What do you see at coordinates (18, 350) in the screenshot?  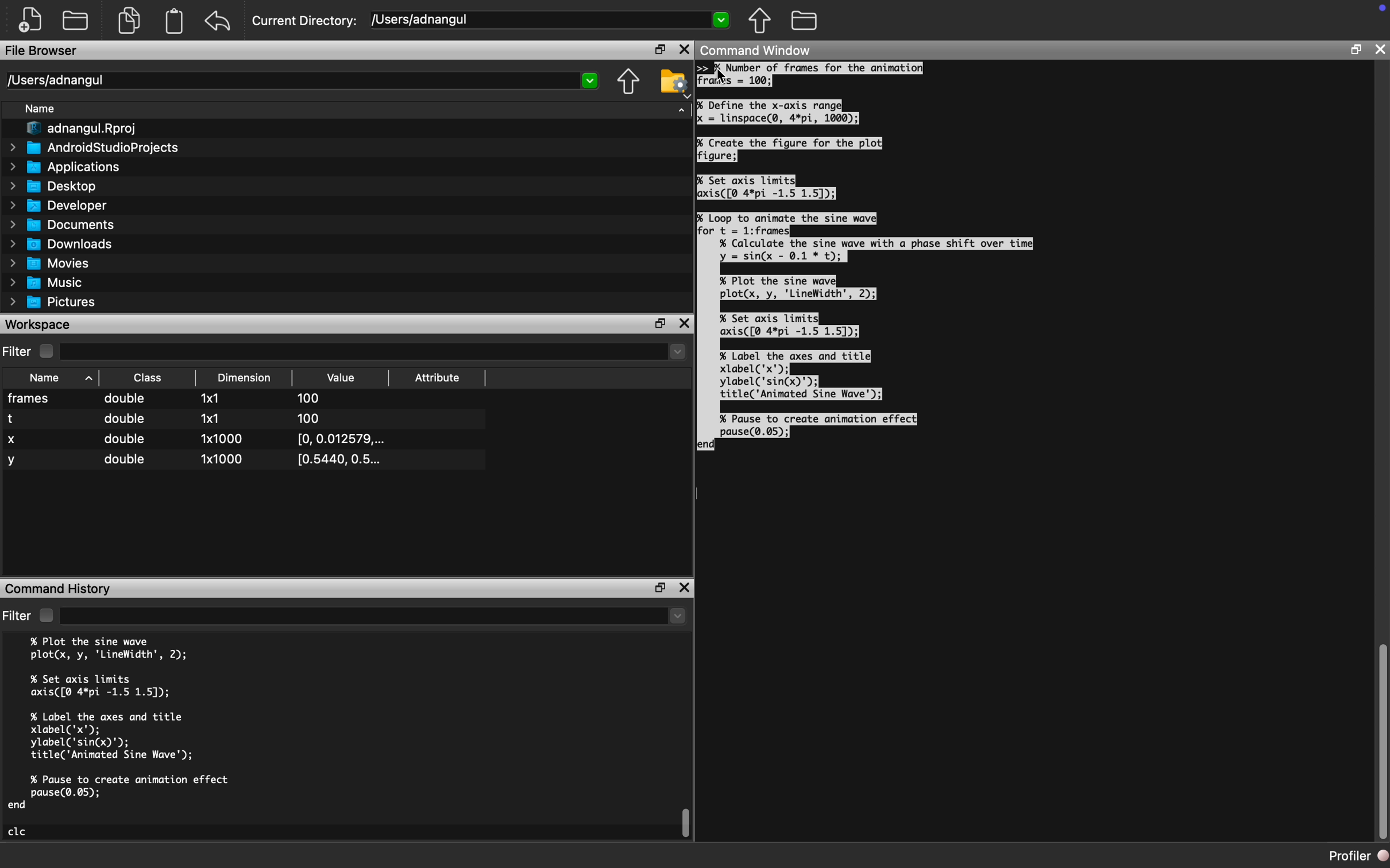 I see `Filter` at bounding box center [18, 350].